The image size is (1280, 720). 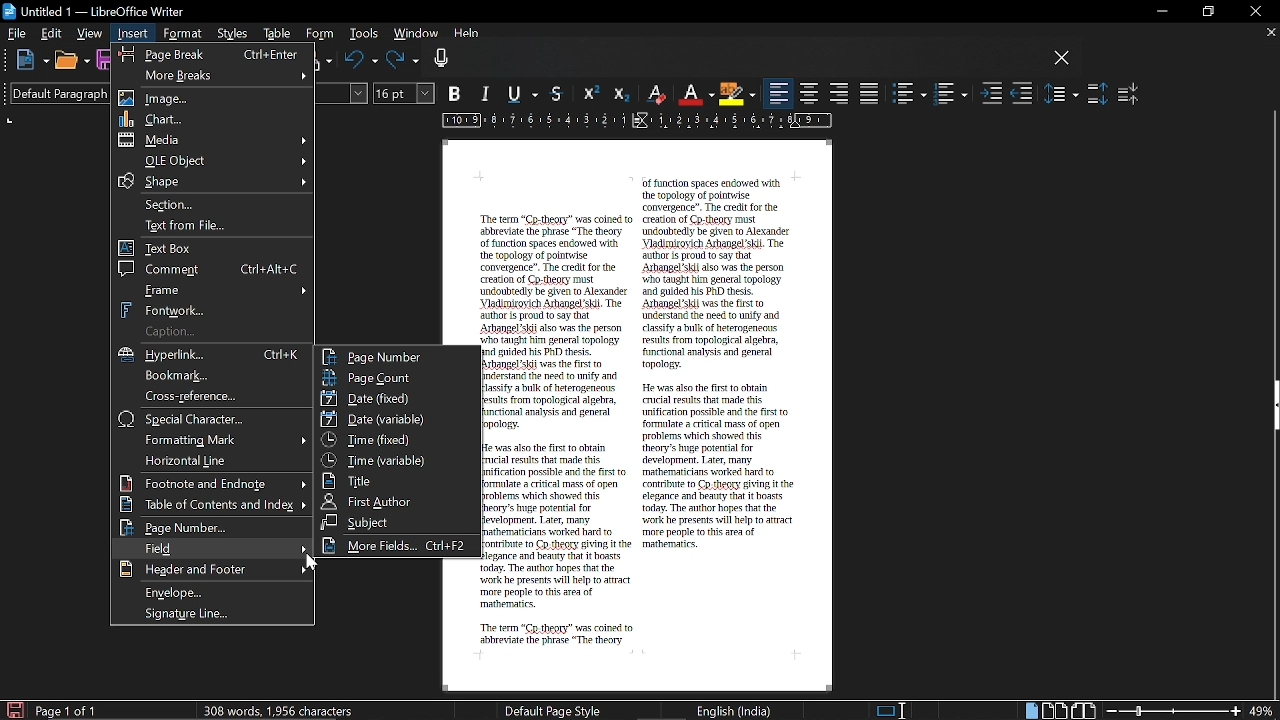 I want to click on Decrease paragraph spacing, so click(x=1129, y=93).